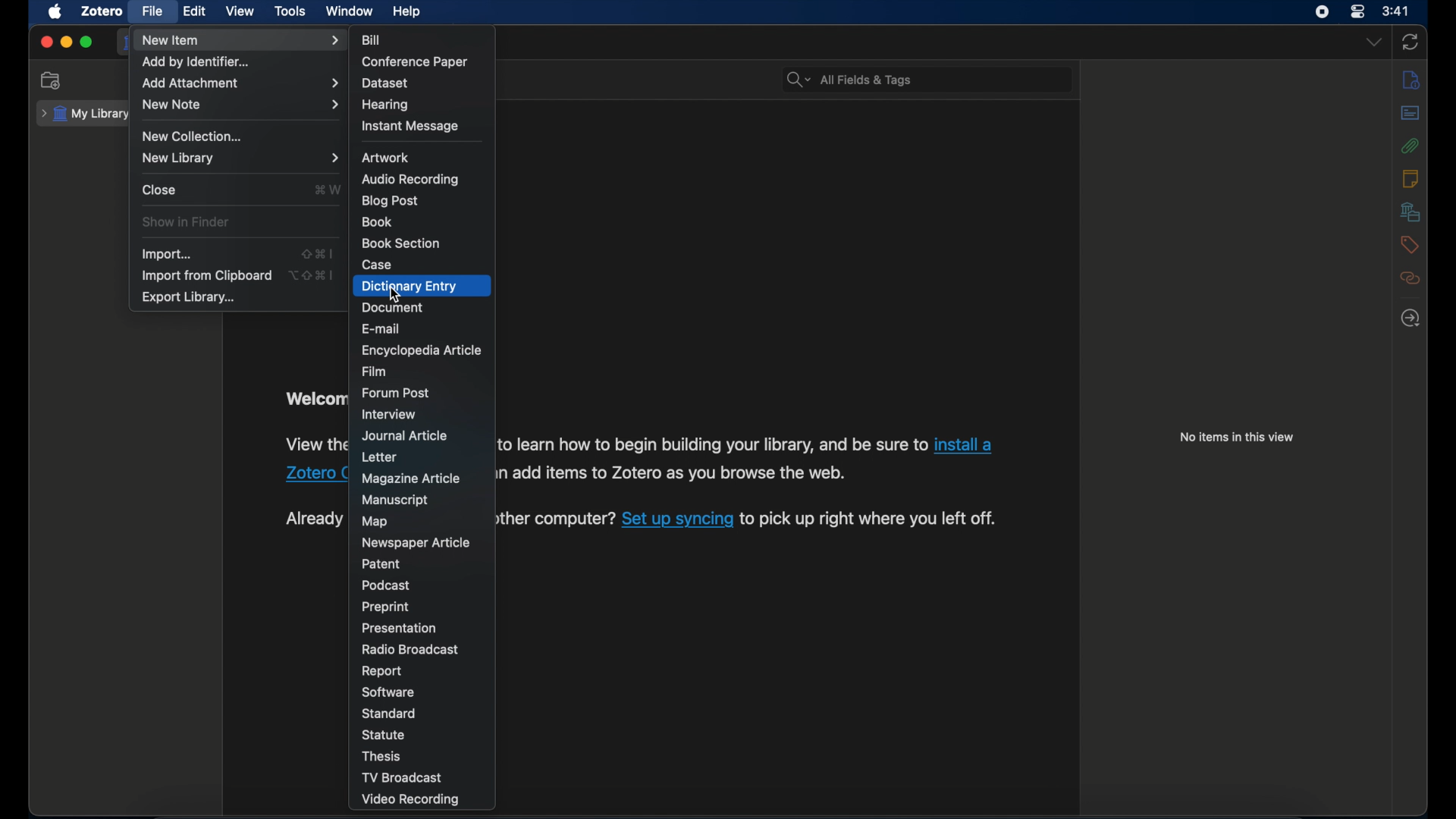  What do you see at coordinates (52, 80) in the screenshot?
I see `new collection` at bounding box center [52, 80].